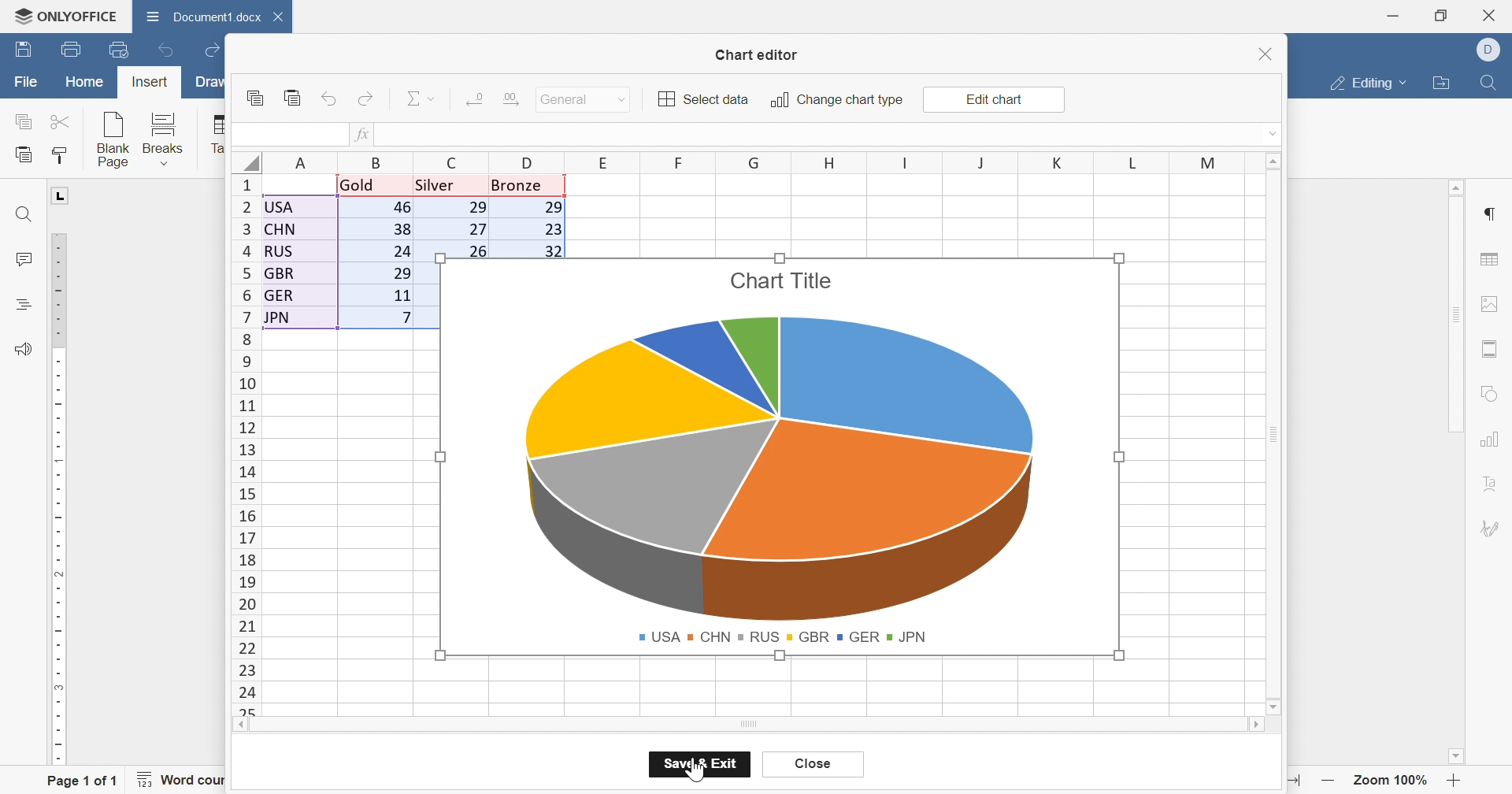  What do you see at coordinates (150, 82) in the screenshot?
I see `Insert` at bounding box center [150, 82].